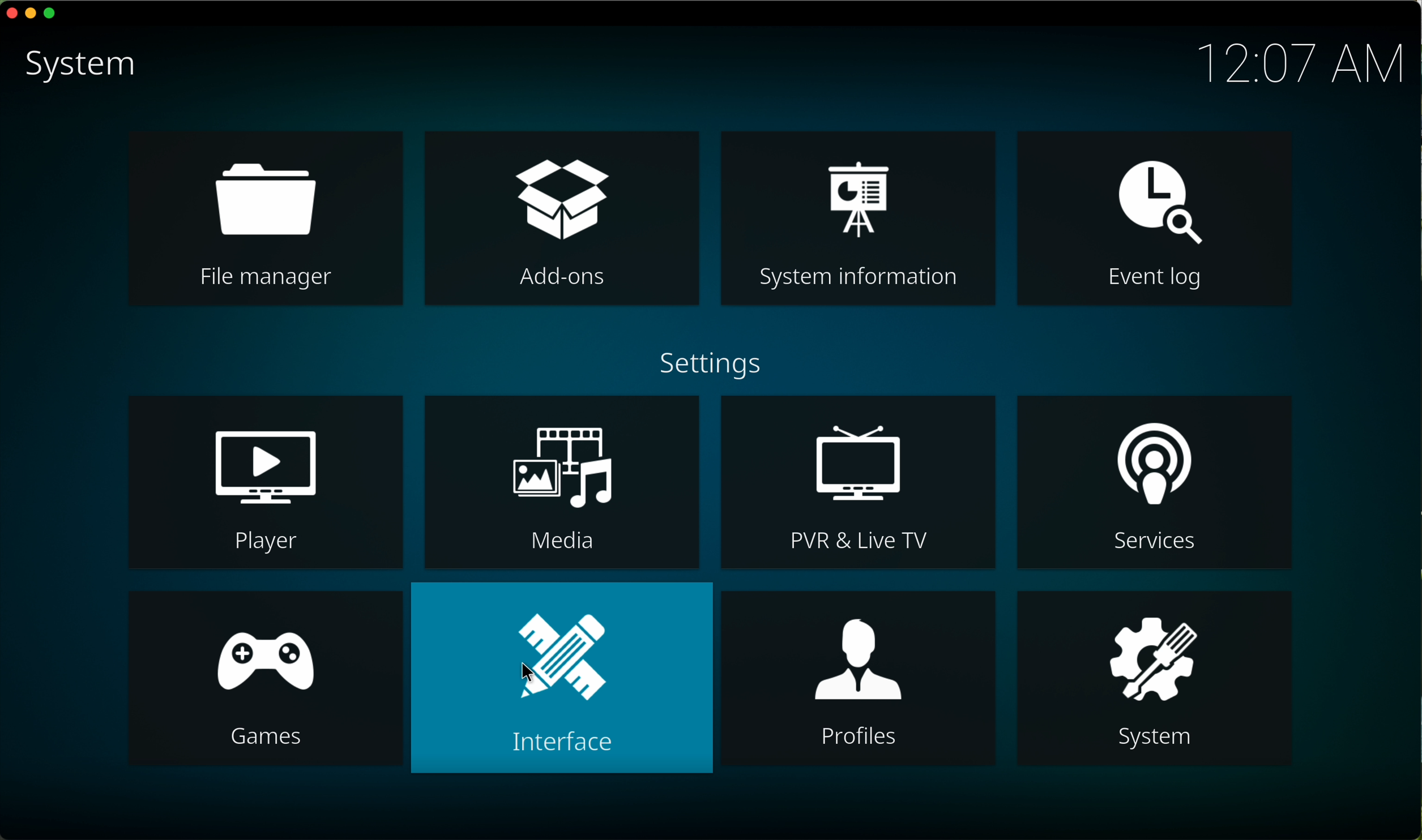  Describe the element at coordinates (267, 217) in the screenshot. I see `file manager` at that location.